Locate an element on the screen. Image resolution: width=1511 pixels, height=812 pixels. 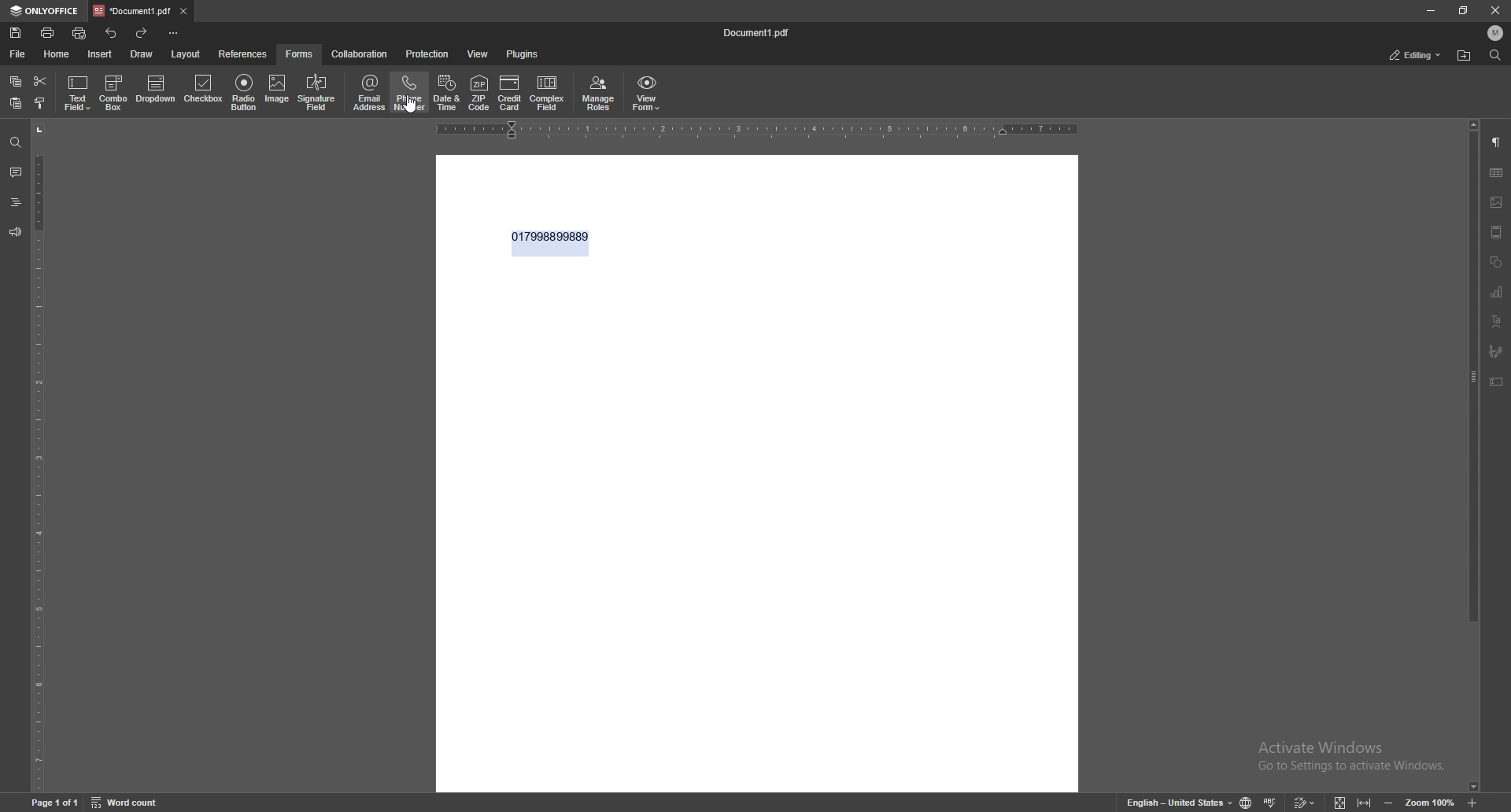
signature is located at coordinates (1494, 352).